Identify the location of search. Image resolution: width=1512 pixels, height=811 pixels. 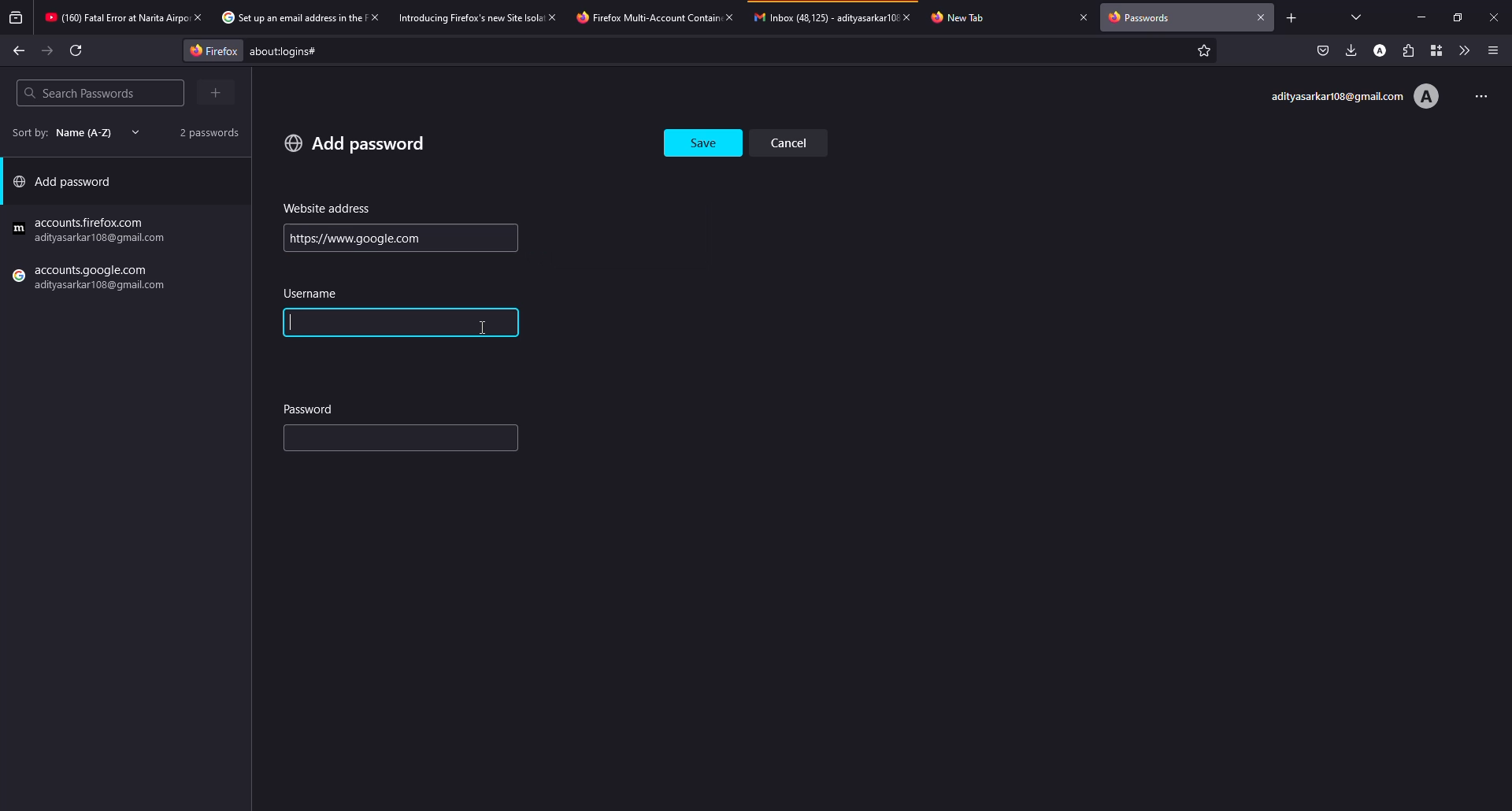
(79, 93).